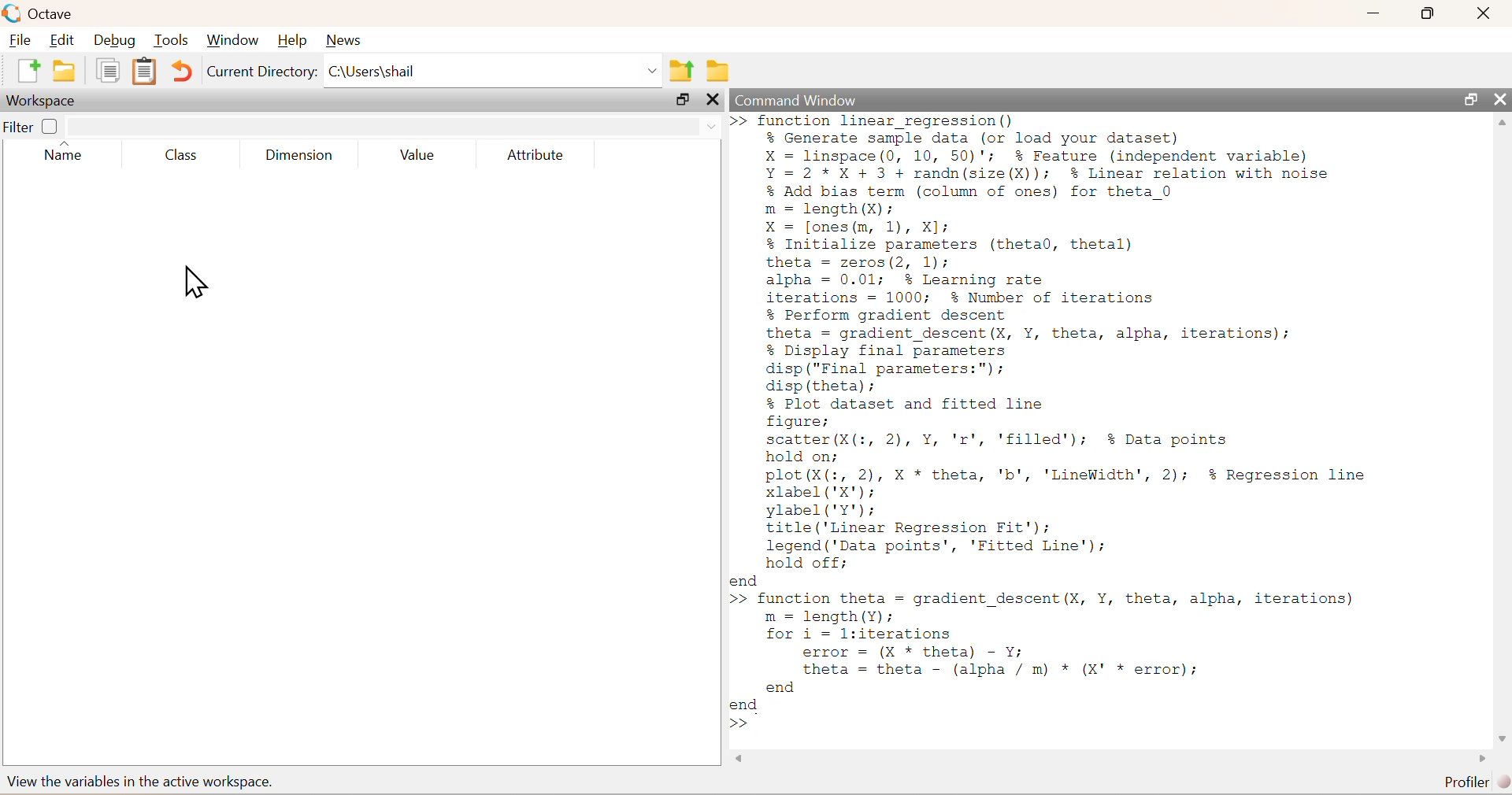  I want to click on Class, so click(182, 156).